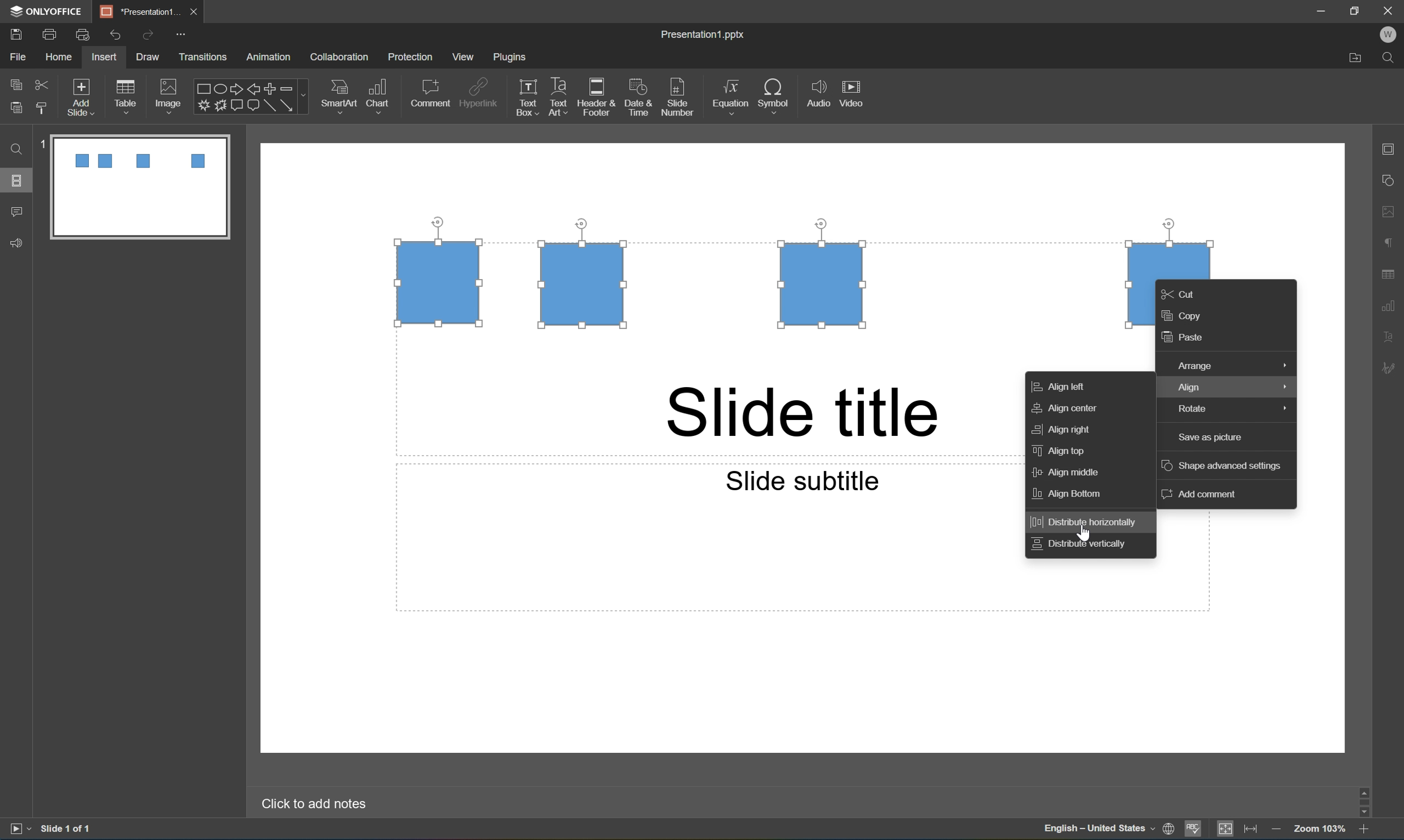  I want to click on feedback & support, so click(15, 243).